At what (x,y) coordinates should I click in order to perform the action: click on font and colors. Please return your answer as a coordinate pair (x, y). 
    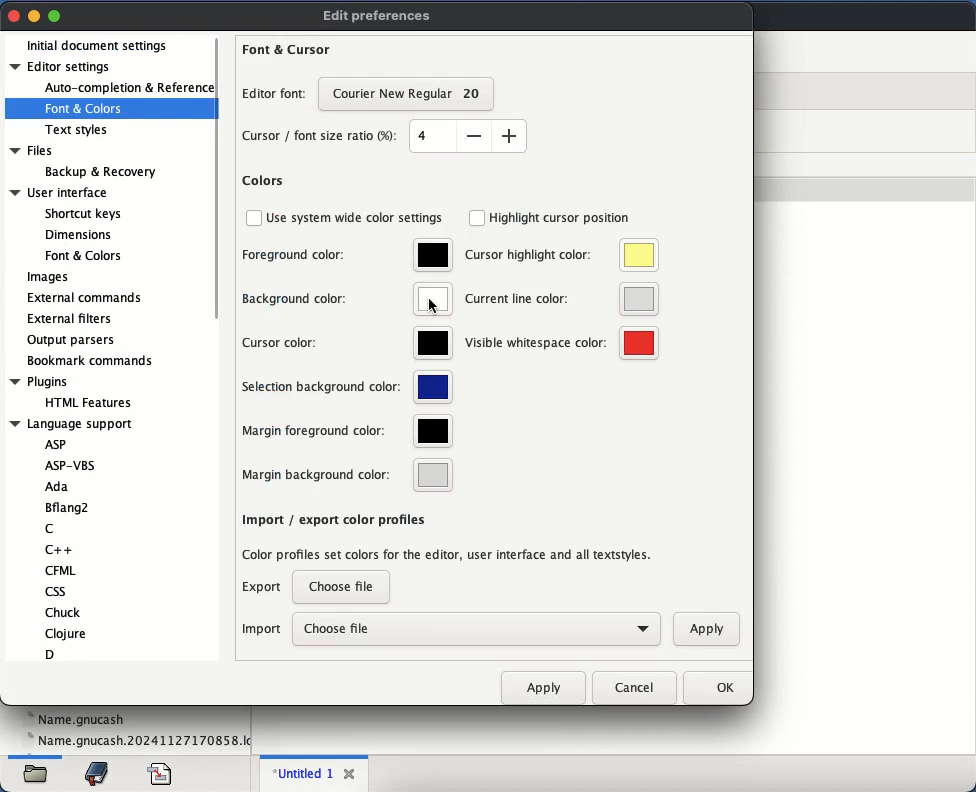
    Looking at the image, I should click on (85, 110).